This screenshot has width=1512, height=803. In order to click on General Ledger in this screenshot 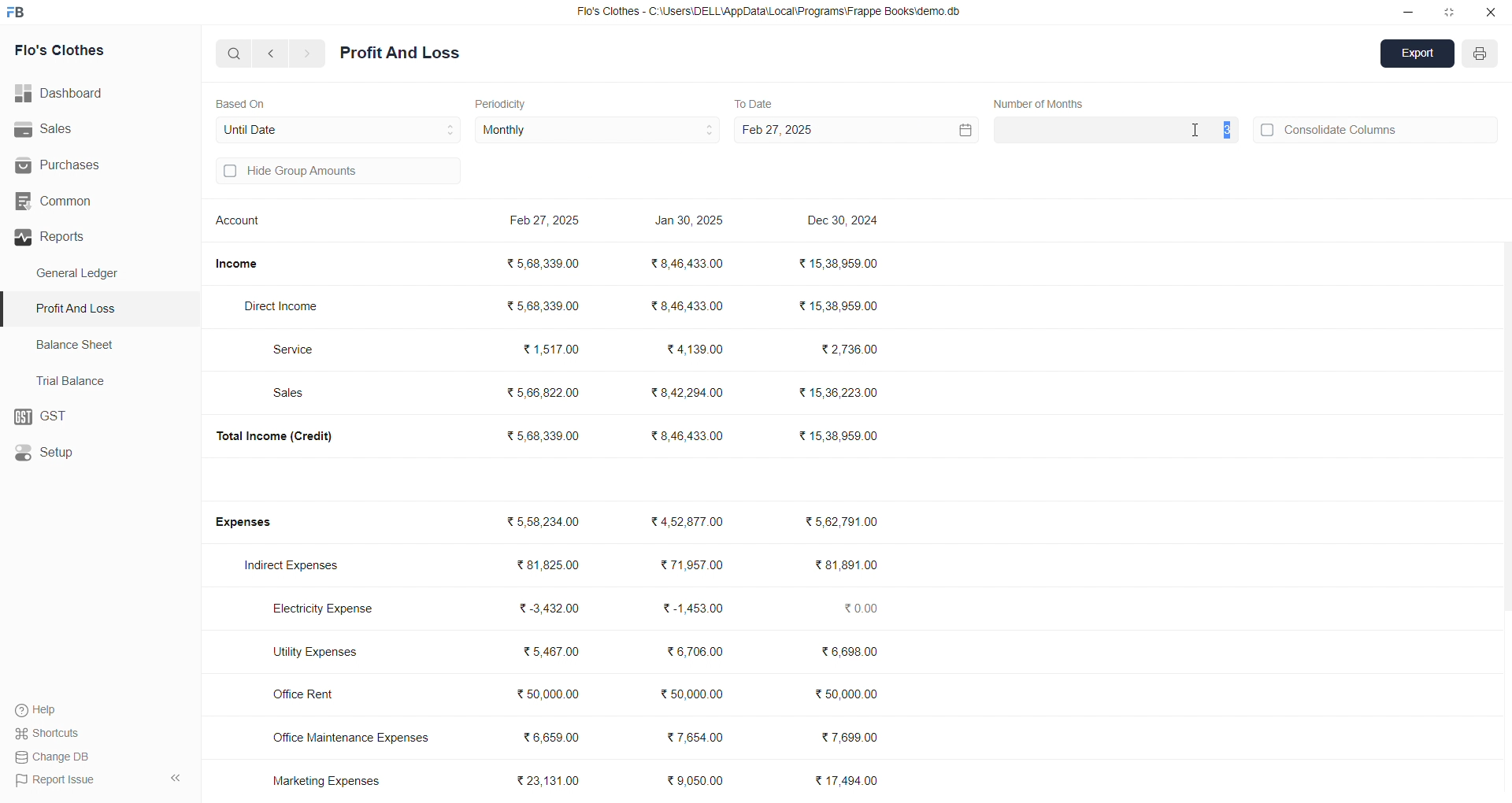, I will do `click(86, 274)`.